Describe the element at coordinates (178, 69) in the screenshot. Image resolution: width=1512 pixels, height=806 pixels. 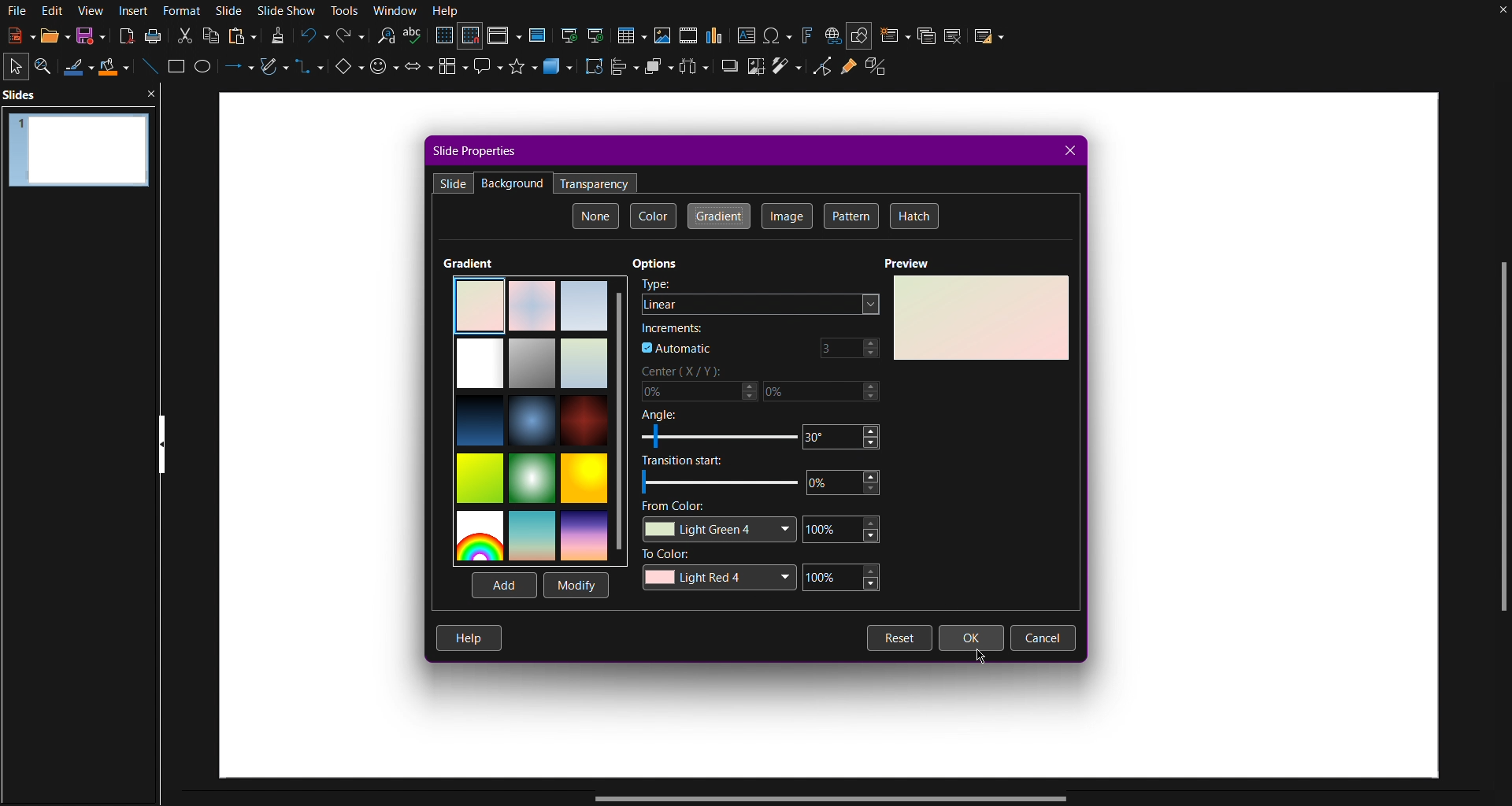
I see `Square` at that location.